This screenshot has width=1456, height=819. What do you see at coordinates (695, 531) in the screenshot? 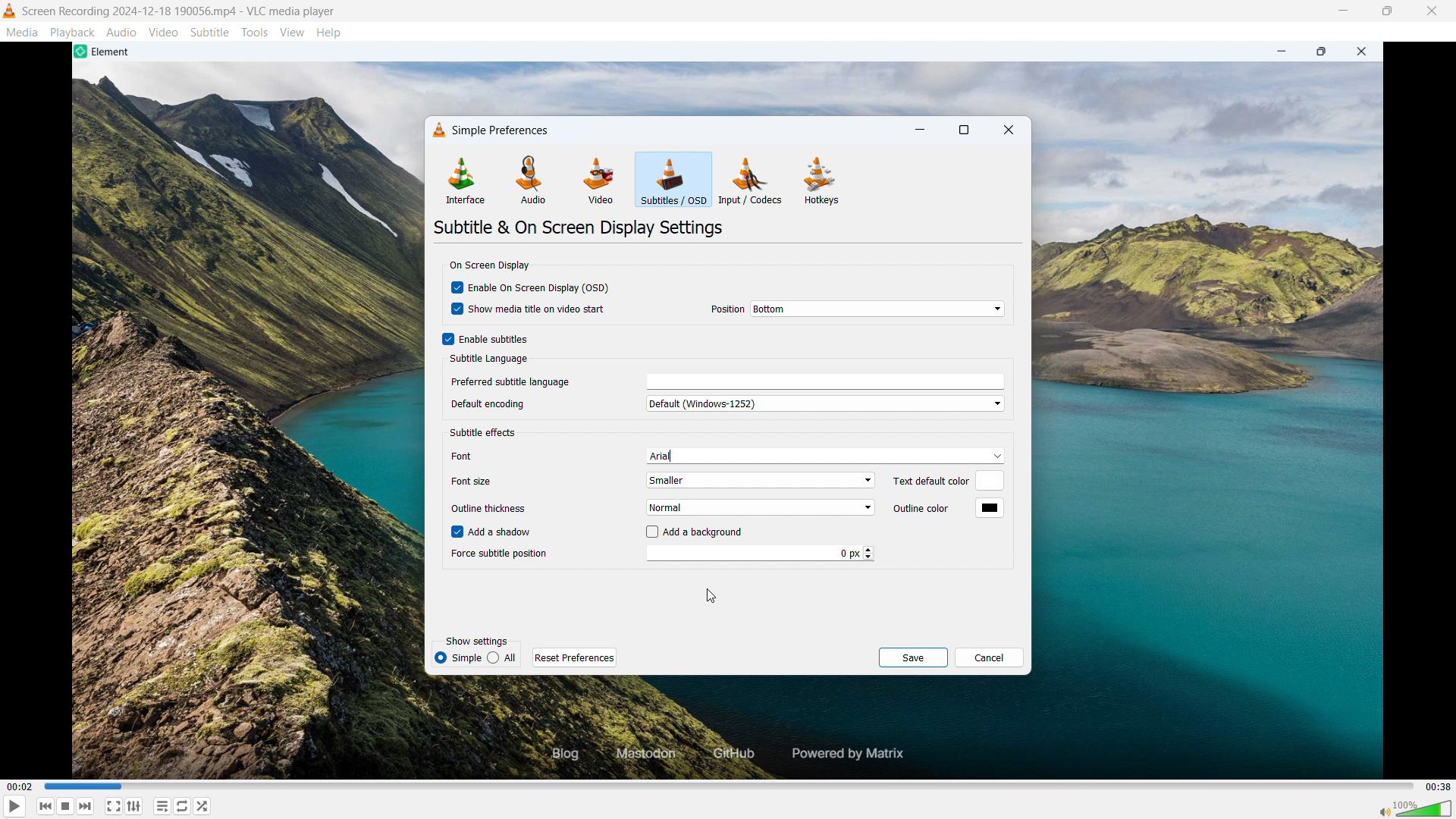
I see `add a background` at bounding box center [695, 531].